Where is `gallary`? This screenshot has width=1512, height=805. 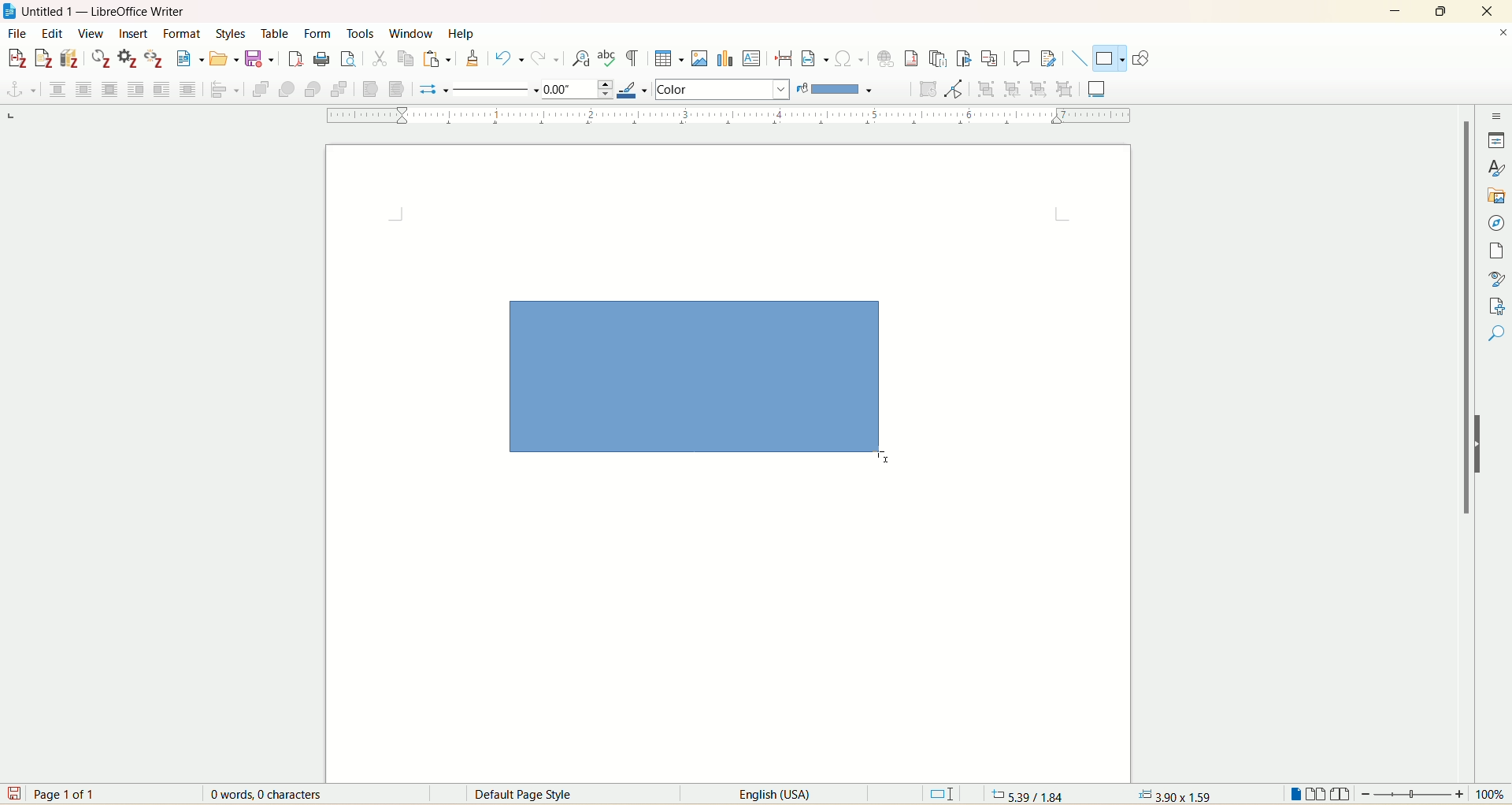
gallary is located at coordinates (1498, 196).